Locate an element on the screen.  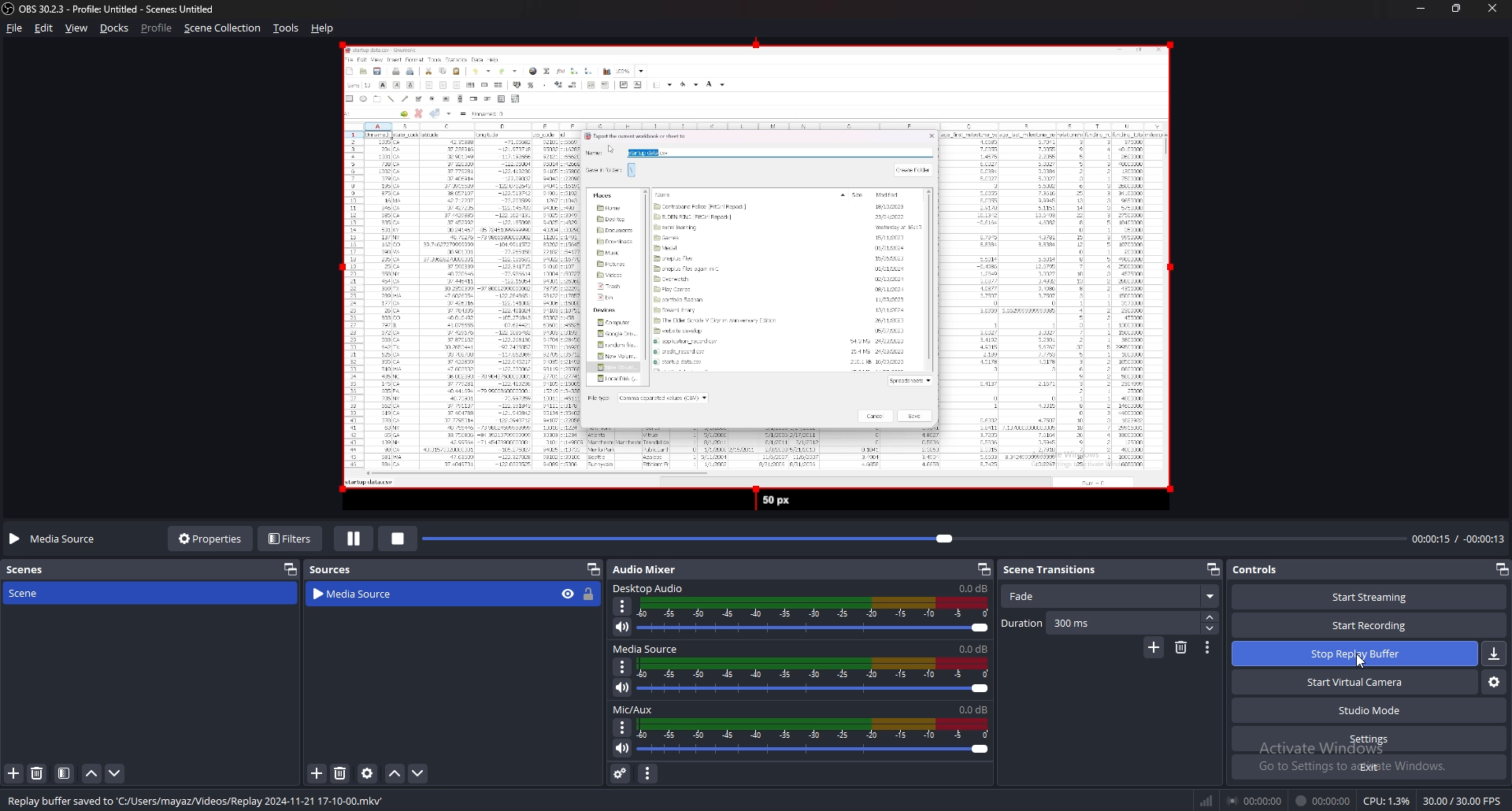
0.0db is located at coordinates (974, 587).